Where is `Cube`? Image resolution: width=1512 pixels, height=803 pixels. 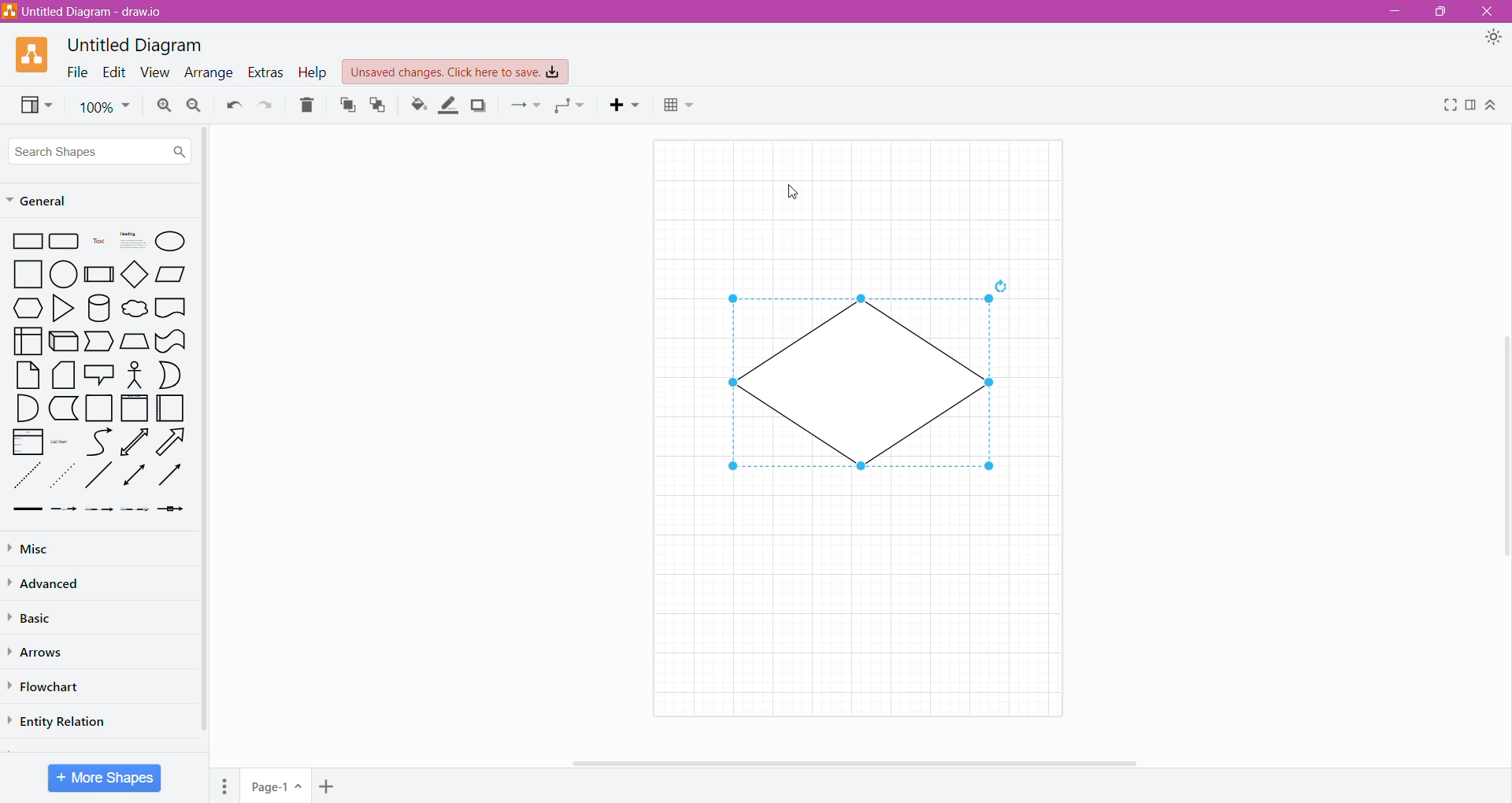
Cube is located at coordinates (62, 342).